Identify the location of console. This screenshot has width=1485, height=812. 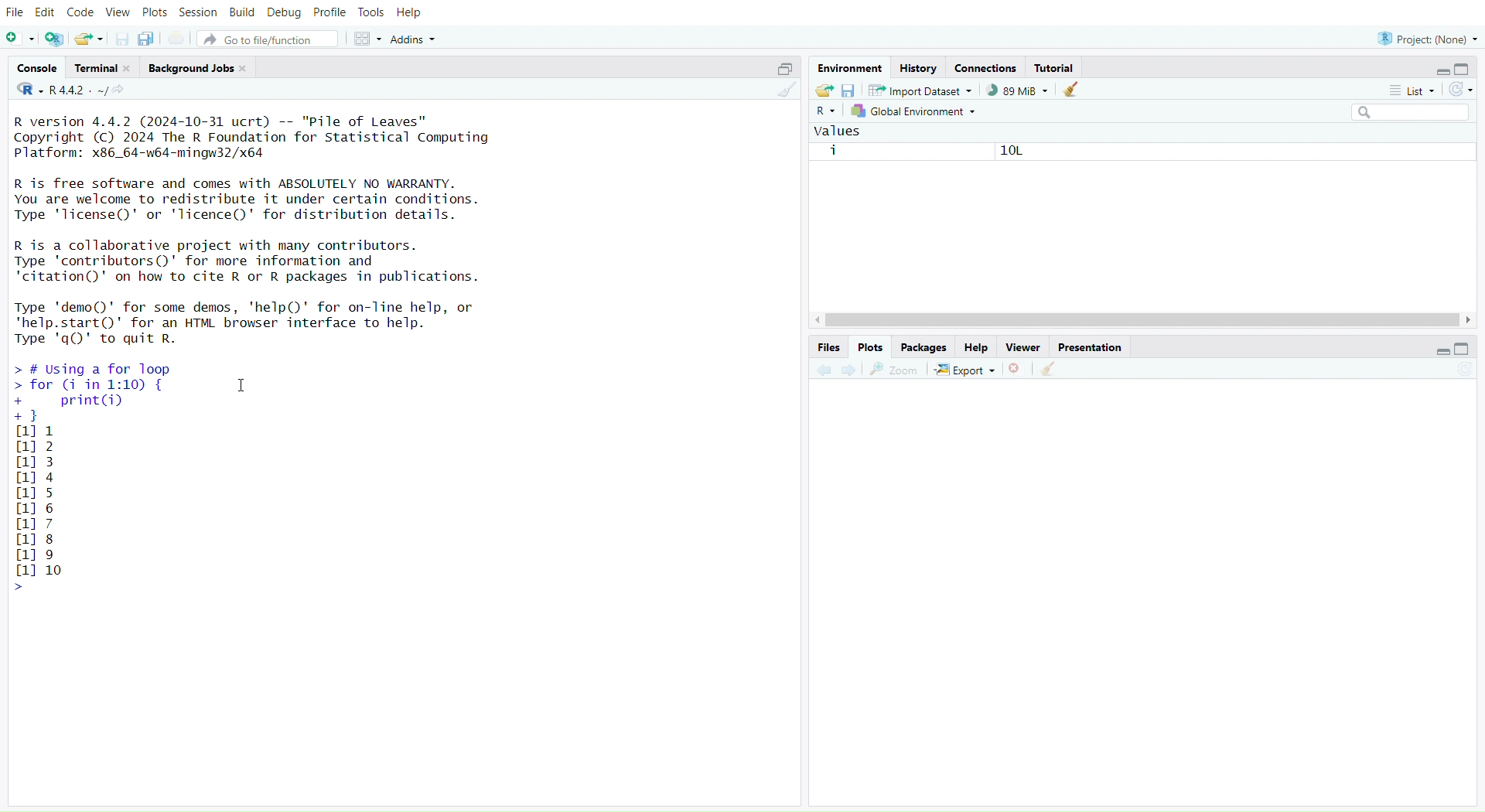
(36, 67).